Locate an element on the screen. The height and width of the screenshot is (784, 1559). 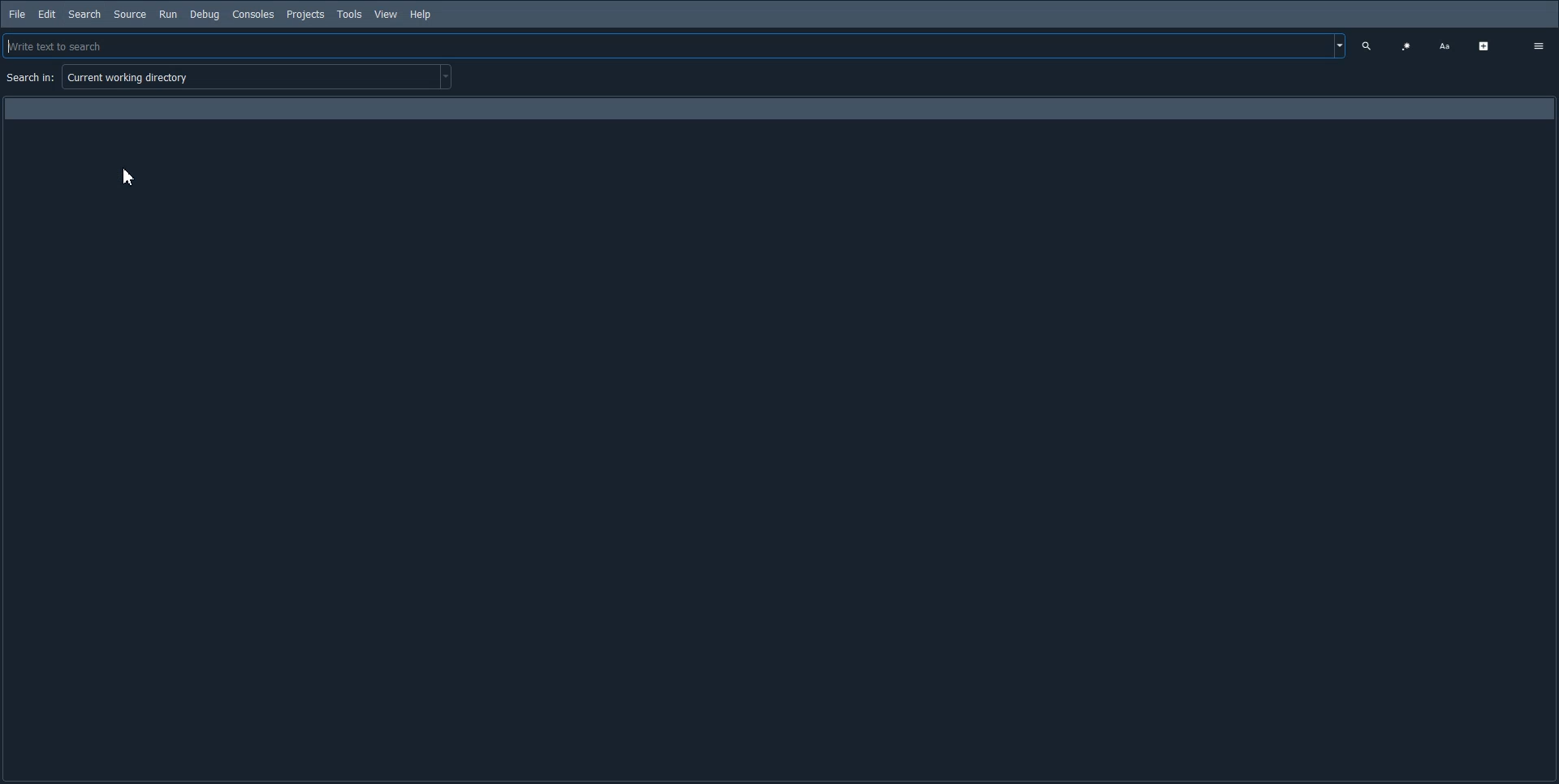
Use regular expression is located at coordinates (1406, 45).